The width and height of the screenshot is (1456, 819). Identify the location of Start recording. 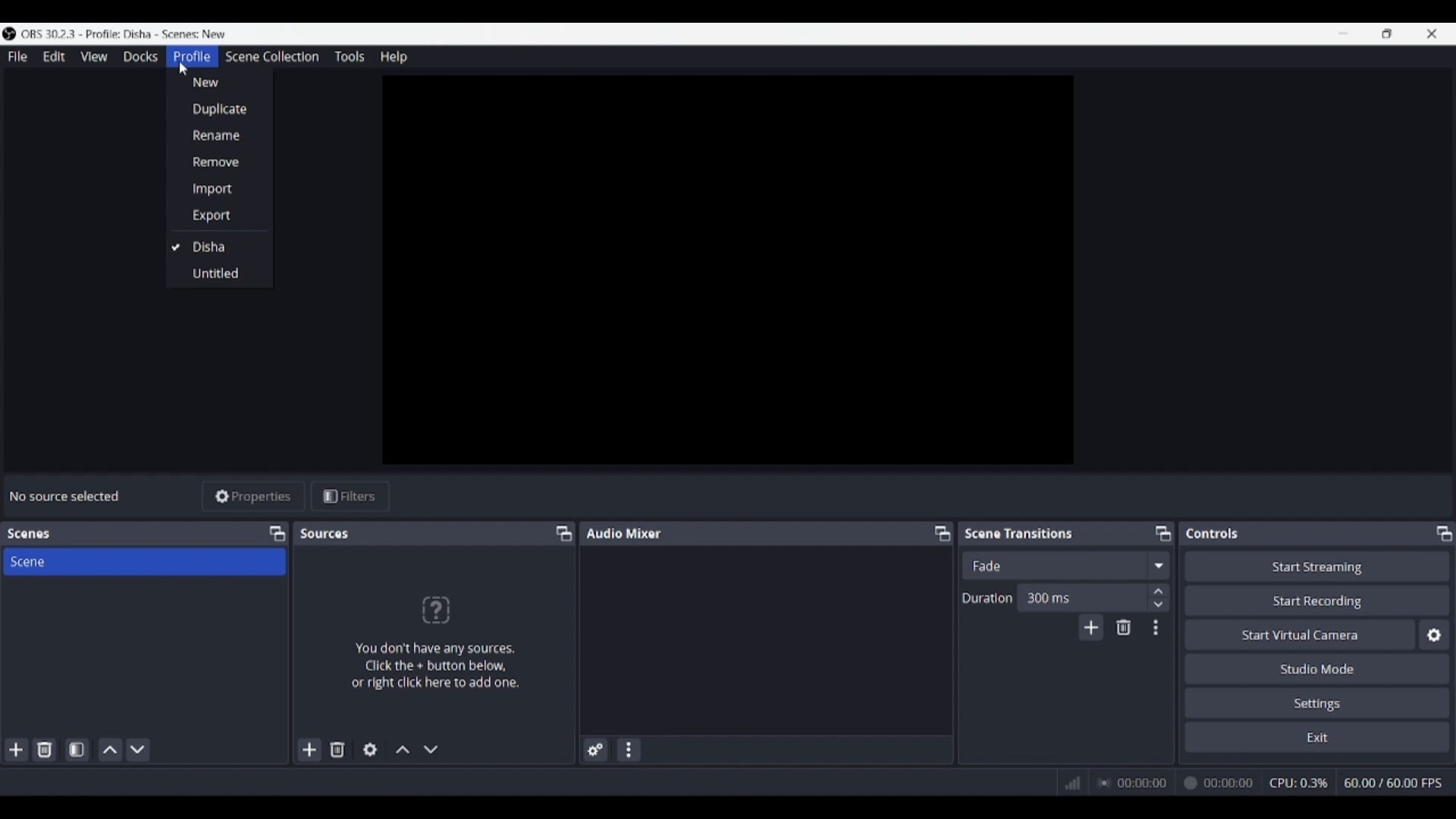
(1318, 600).